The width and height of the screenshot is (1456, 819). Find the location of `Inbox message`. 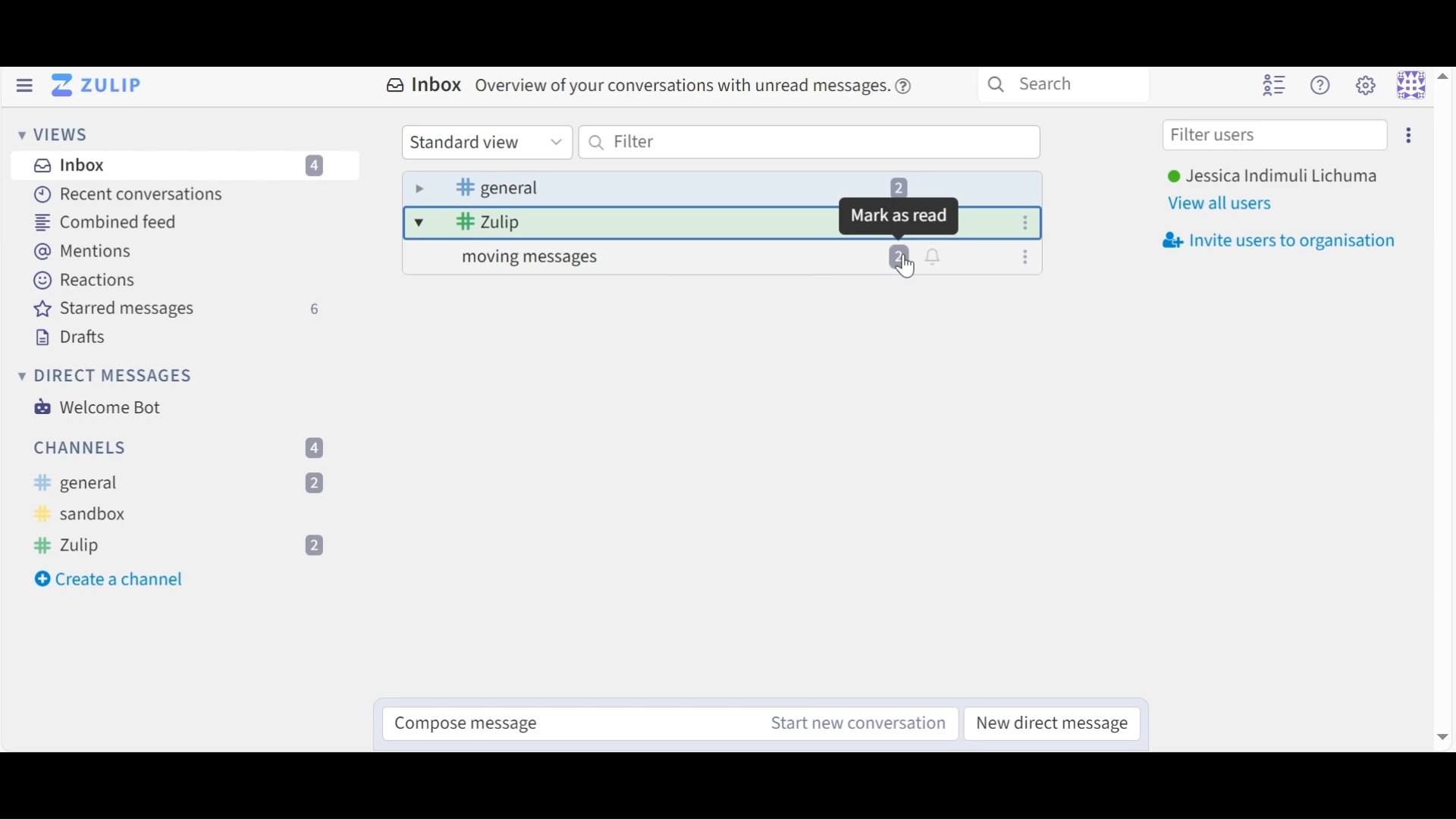

Inbox message is located at coordinates (722, 187).